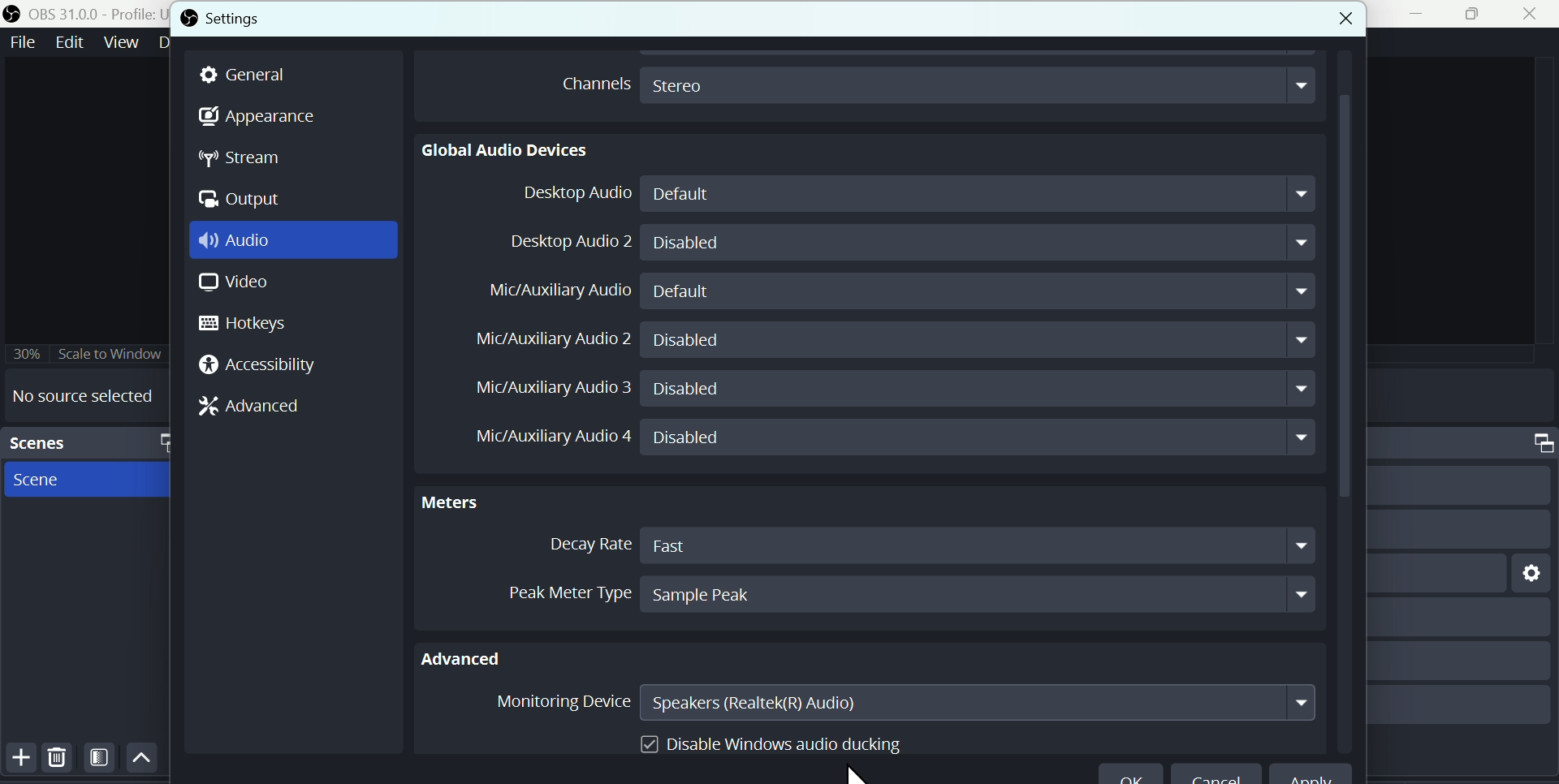  What do you see at coordinates (67, 42) in the screenshot?
I see `Edit` at bounding box center [67, 42].